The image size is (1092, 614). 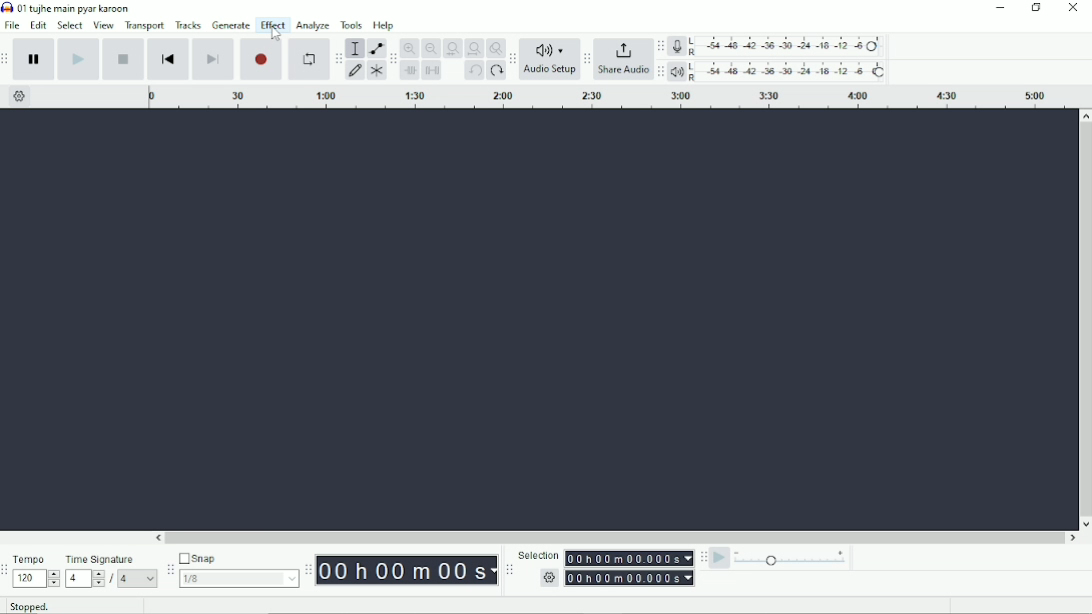 I want to click on Tempo, so click(x=44, y=1049).